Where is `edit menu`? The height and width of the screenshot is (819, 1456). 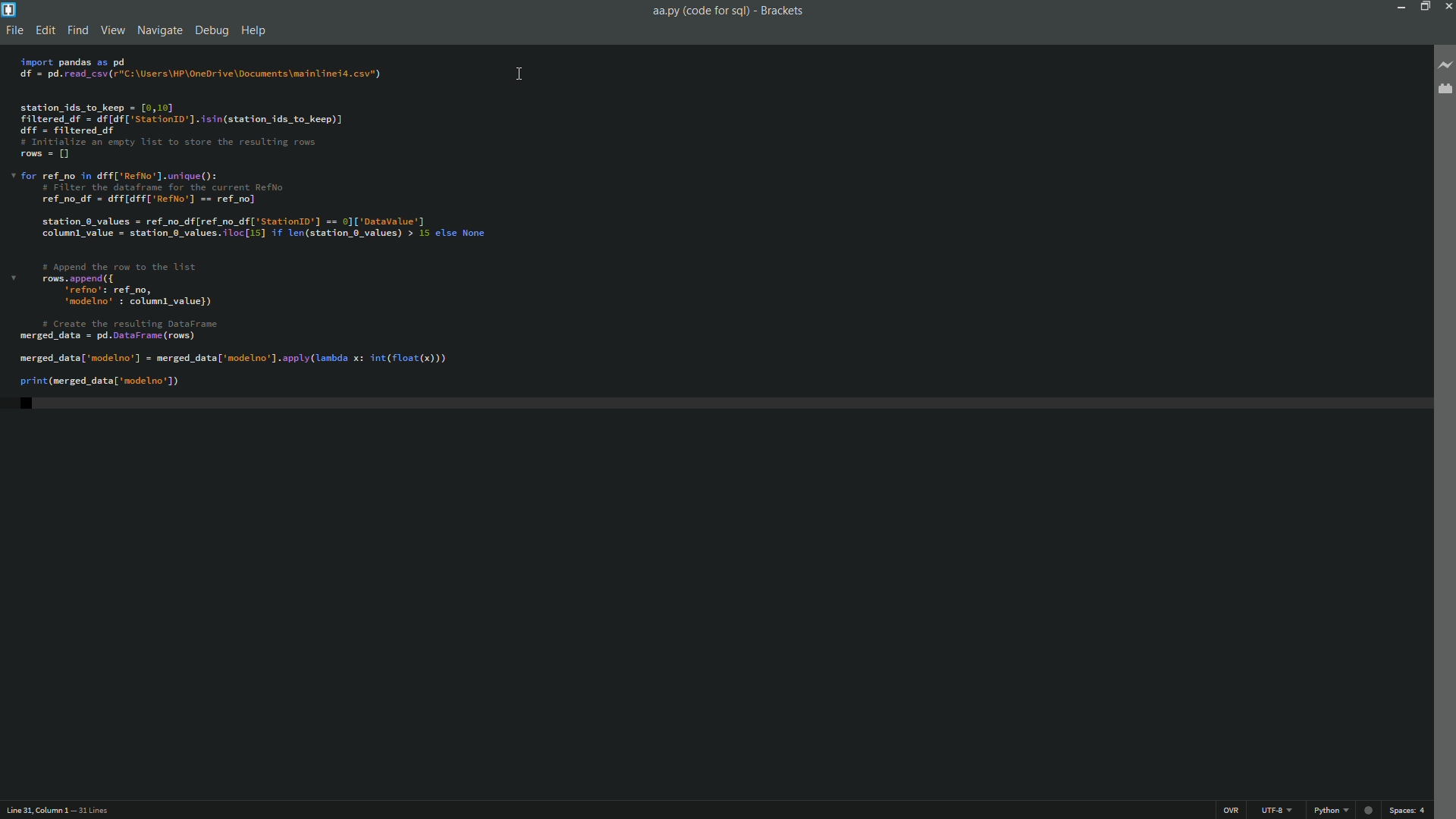 edit menu is located at coordinates (45, 30).